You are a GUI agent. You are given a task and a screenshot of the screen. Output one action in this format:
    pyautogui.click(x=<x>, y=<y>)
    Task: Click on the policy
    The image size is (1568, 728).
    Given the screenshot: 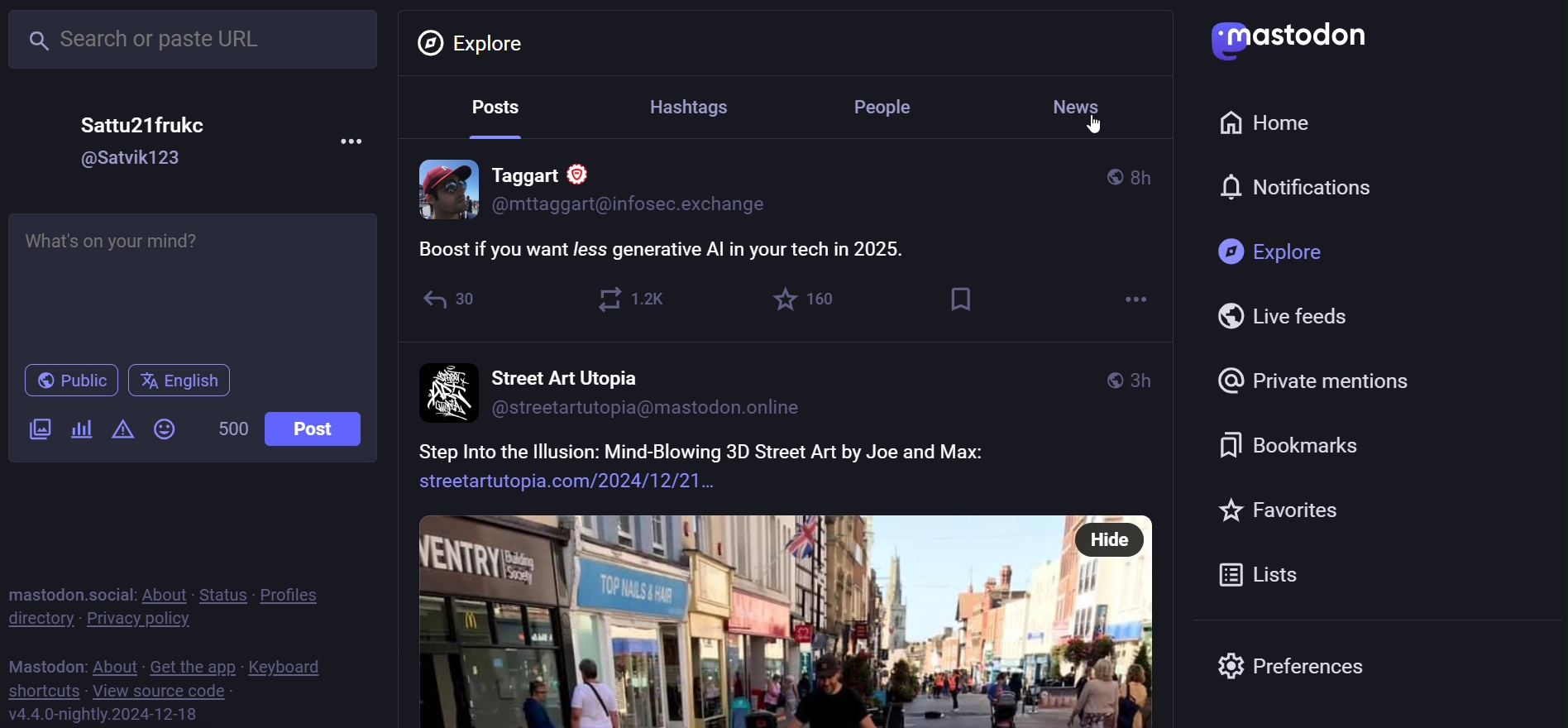 What is the action you would take?
    pyautogui.click(x=296, y=596)
    